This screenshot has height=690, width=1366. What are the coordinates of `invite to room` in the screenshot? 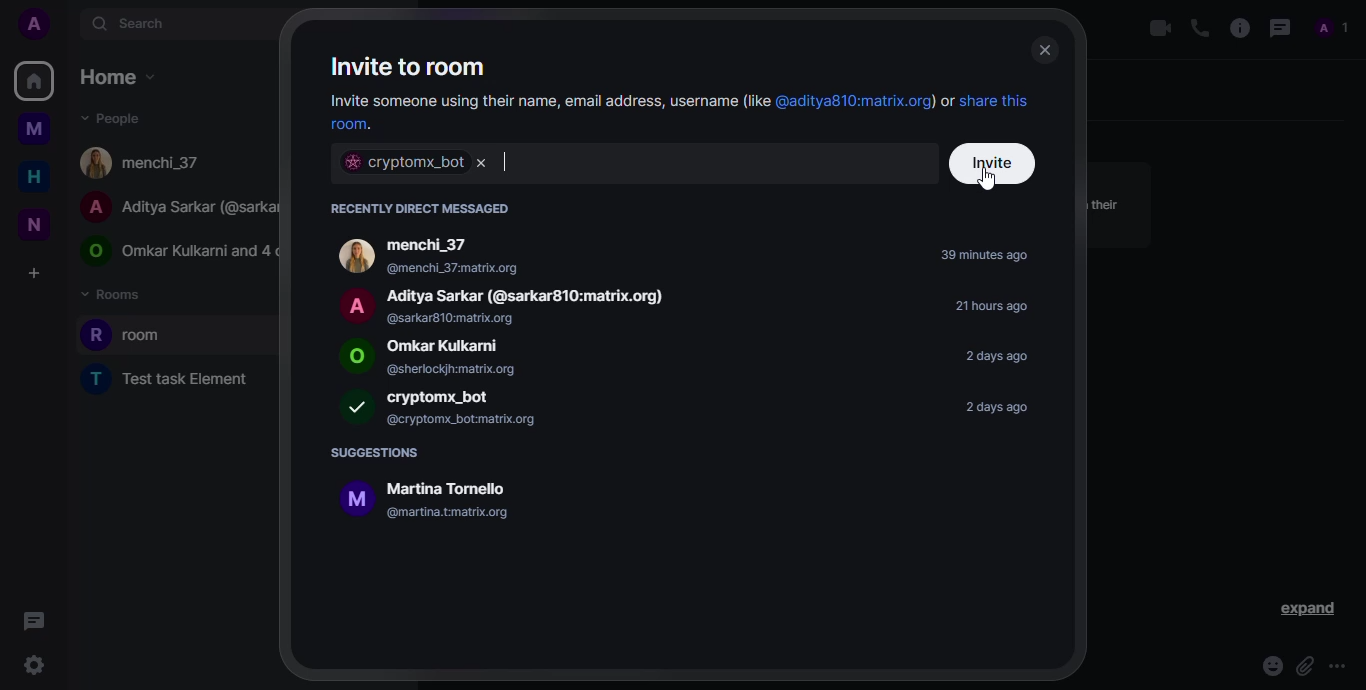 It's located at (411, 66).